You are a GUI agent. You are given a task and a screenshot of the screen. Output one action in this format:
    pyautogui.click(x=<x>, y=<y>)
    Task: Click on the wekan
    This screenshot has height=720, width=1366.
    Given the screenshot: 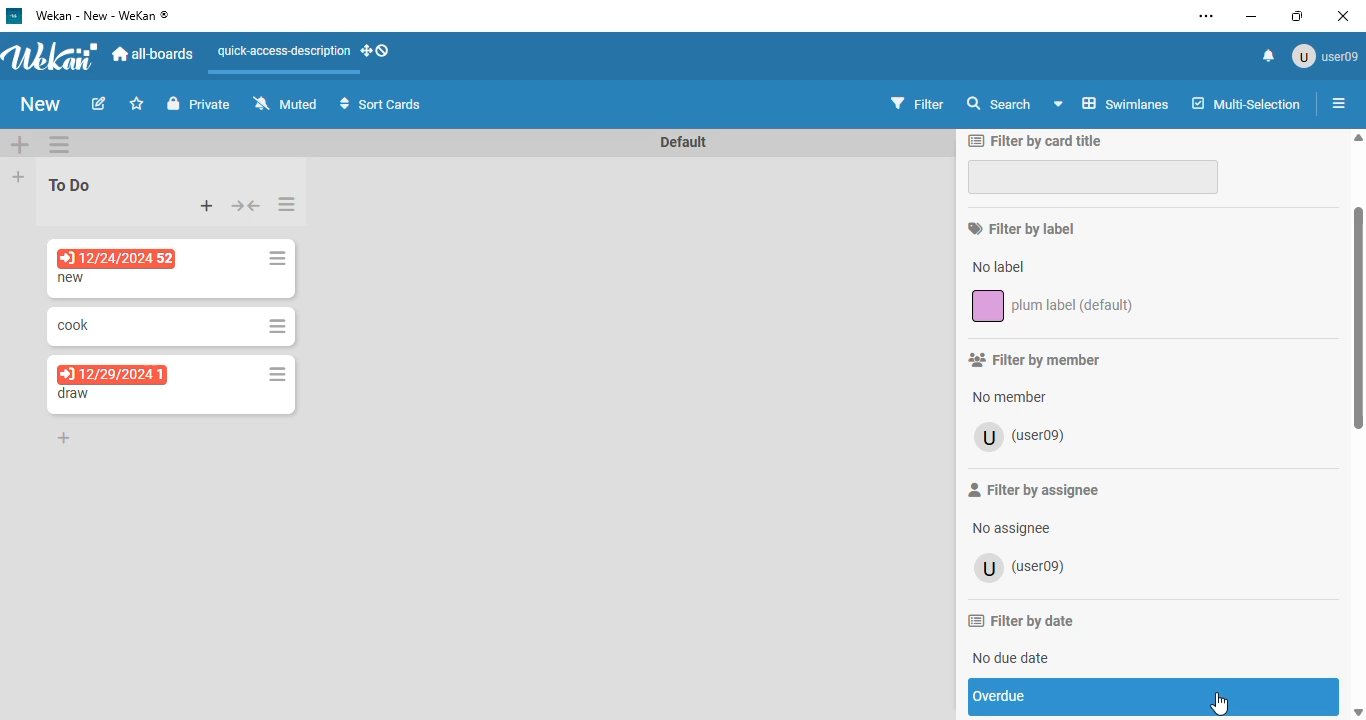 What is the action you would take?
    pyautogui.click(x=51, y=55)
    